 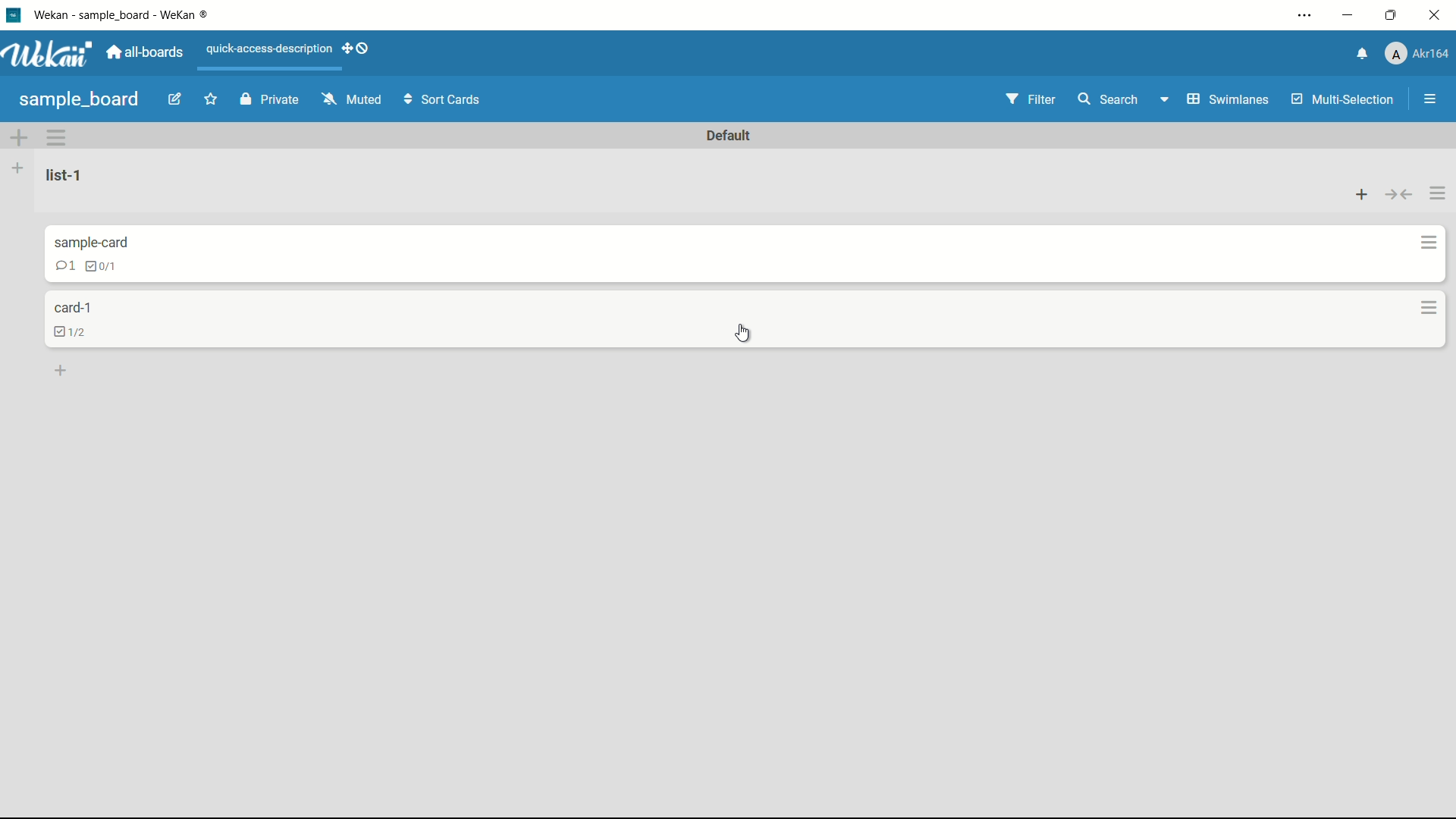 What do you see at coordinates (1427, 241) in the screenshot?
I see `card actions` at bounding box center [1427, 241].